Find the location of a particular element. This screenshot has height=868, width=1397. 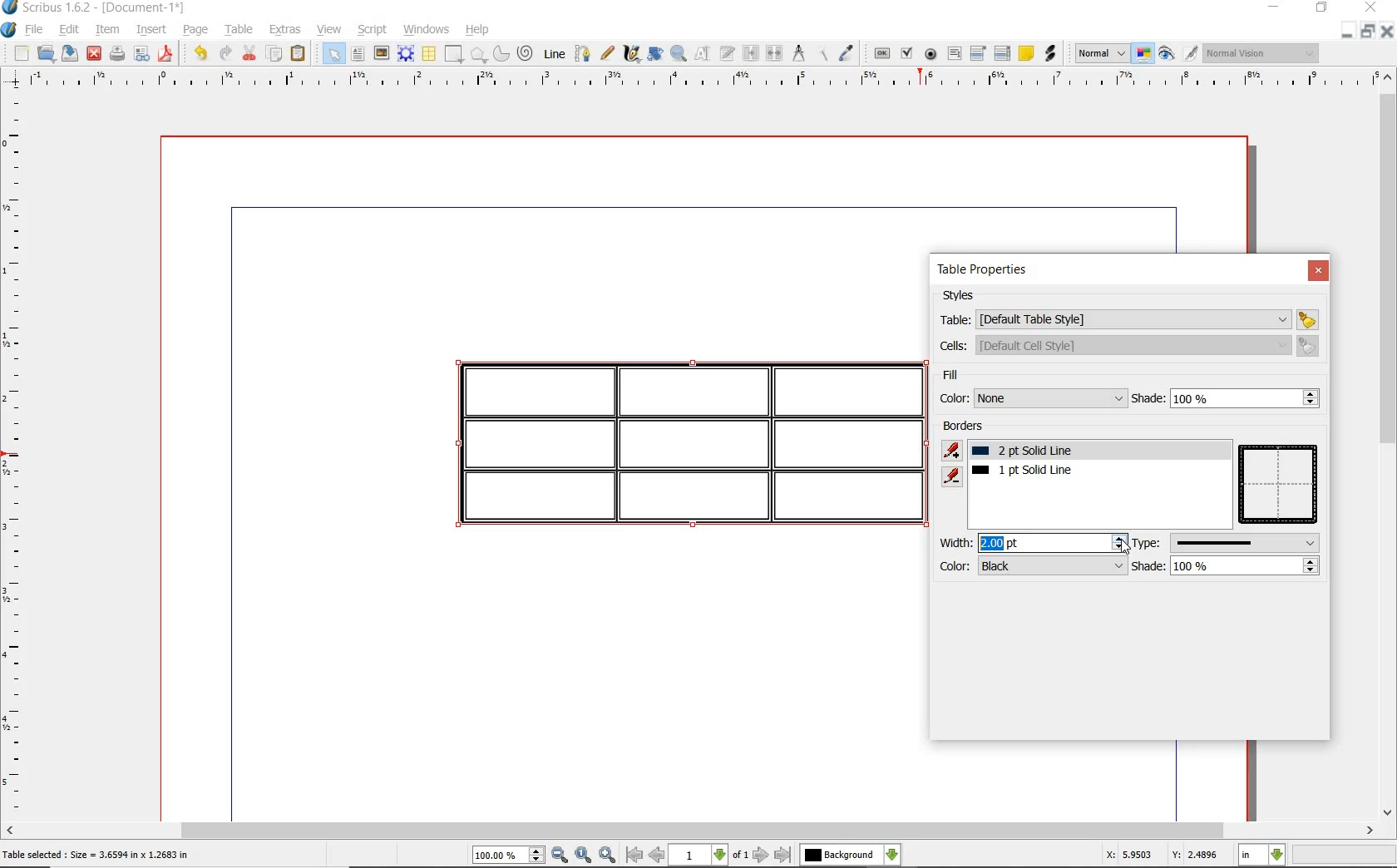

cursor is located at coordinates (1122, 547).